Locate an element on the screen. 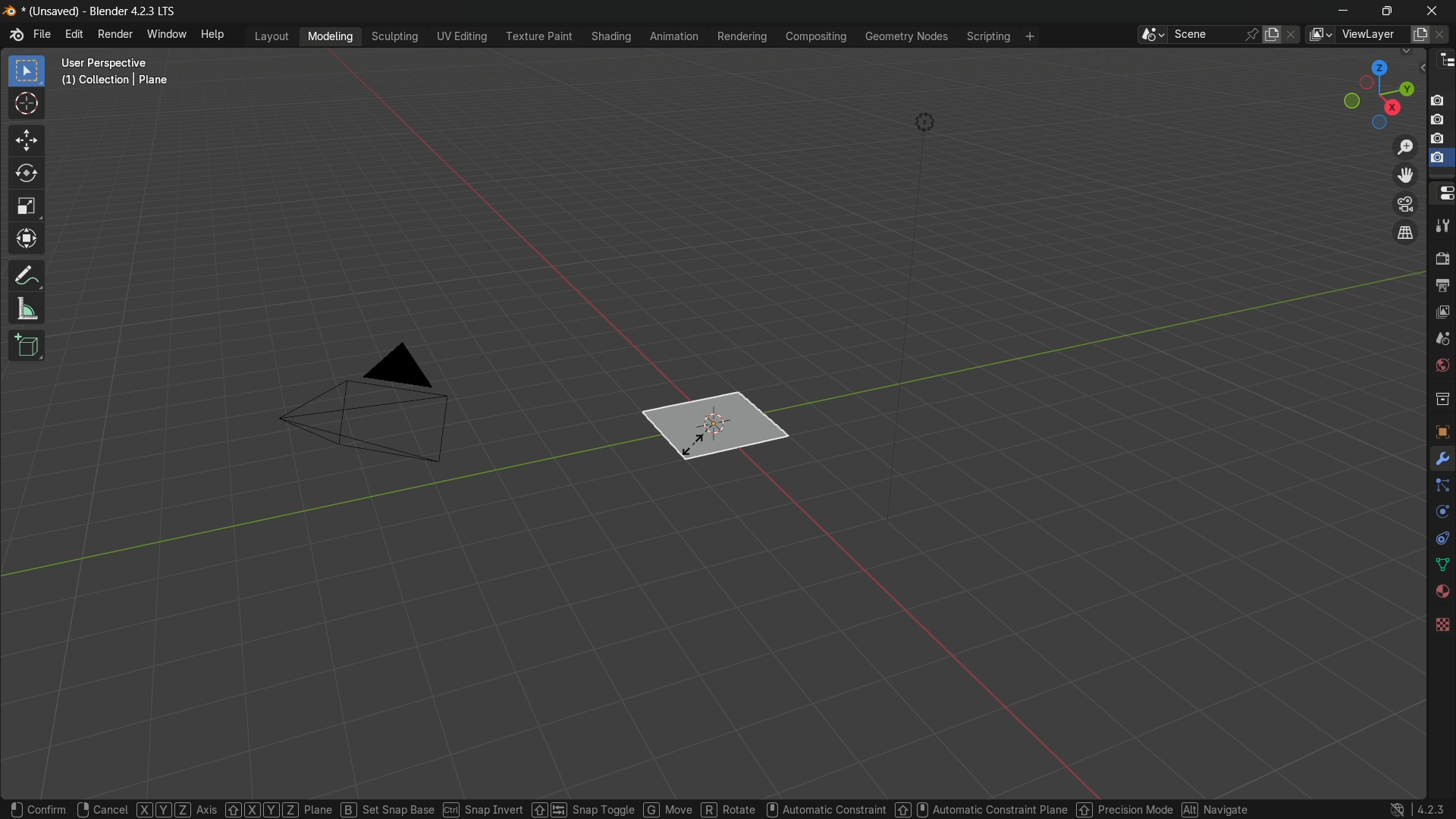 The image size is (1456, 819). pin scene to workplace is located at coordinates (1251, 36).